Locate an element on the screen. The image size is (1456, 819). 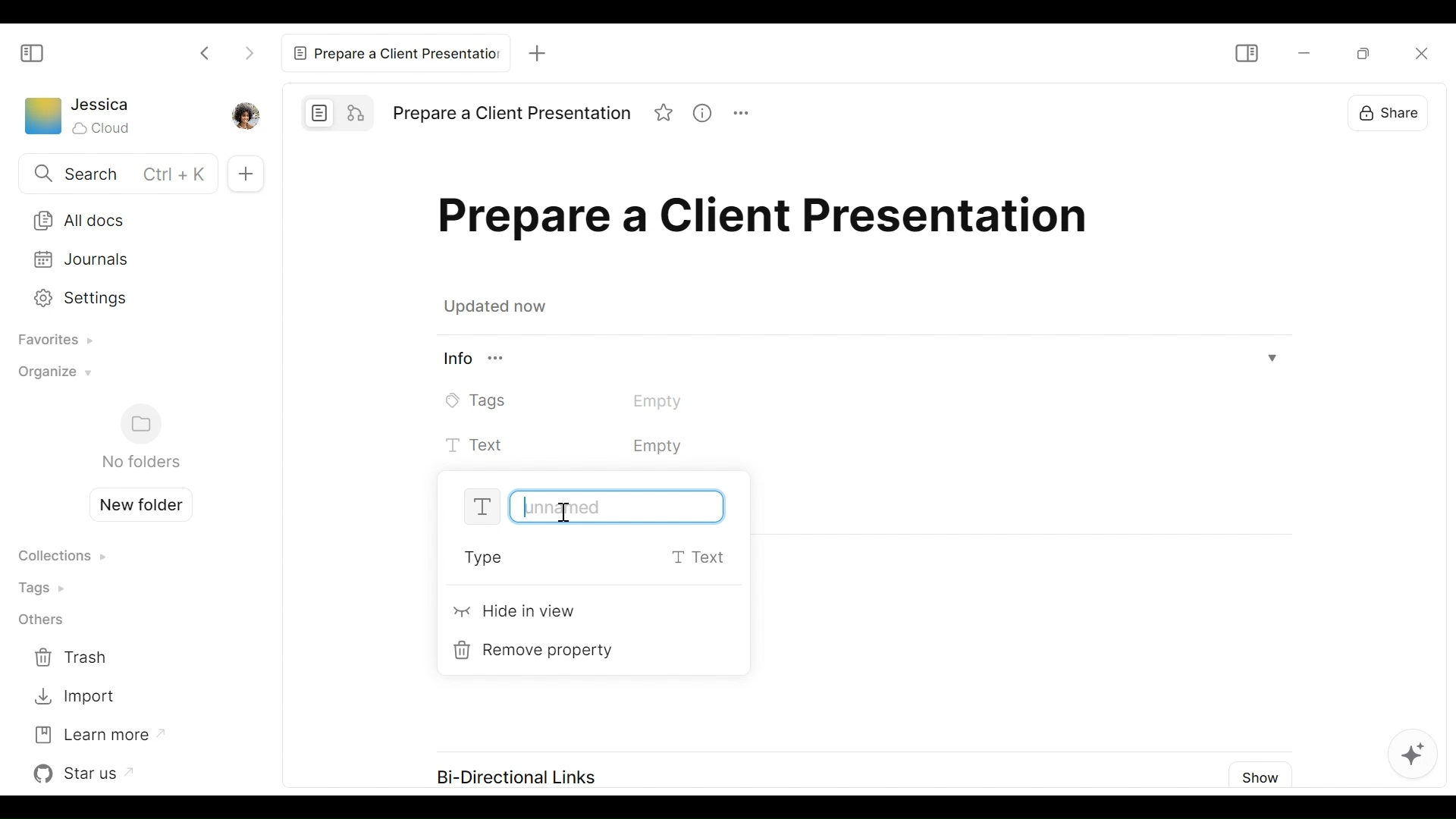
Show is located at coordinates (1261, 776).